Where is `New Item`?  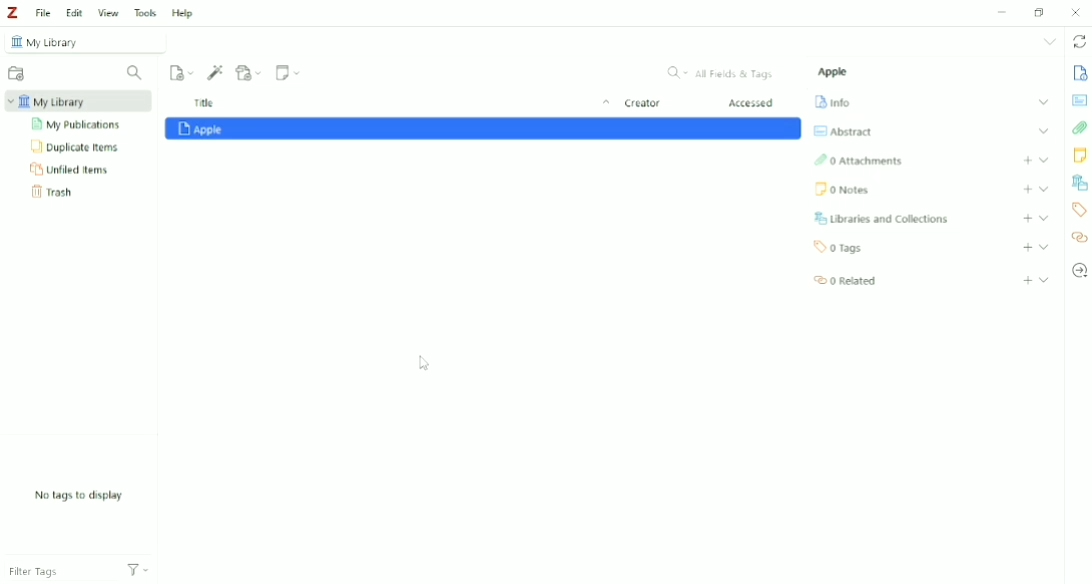
New Item is located at coordinates (182, 72).